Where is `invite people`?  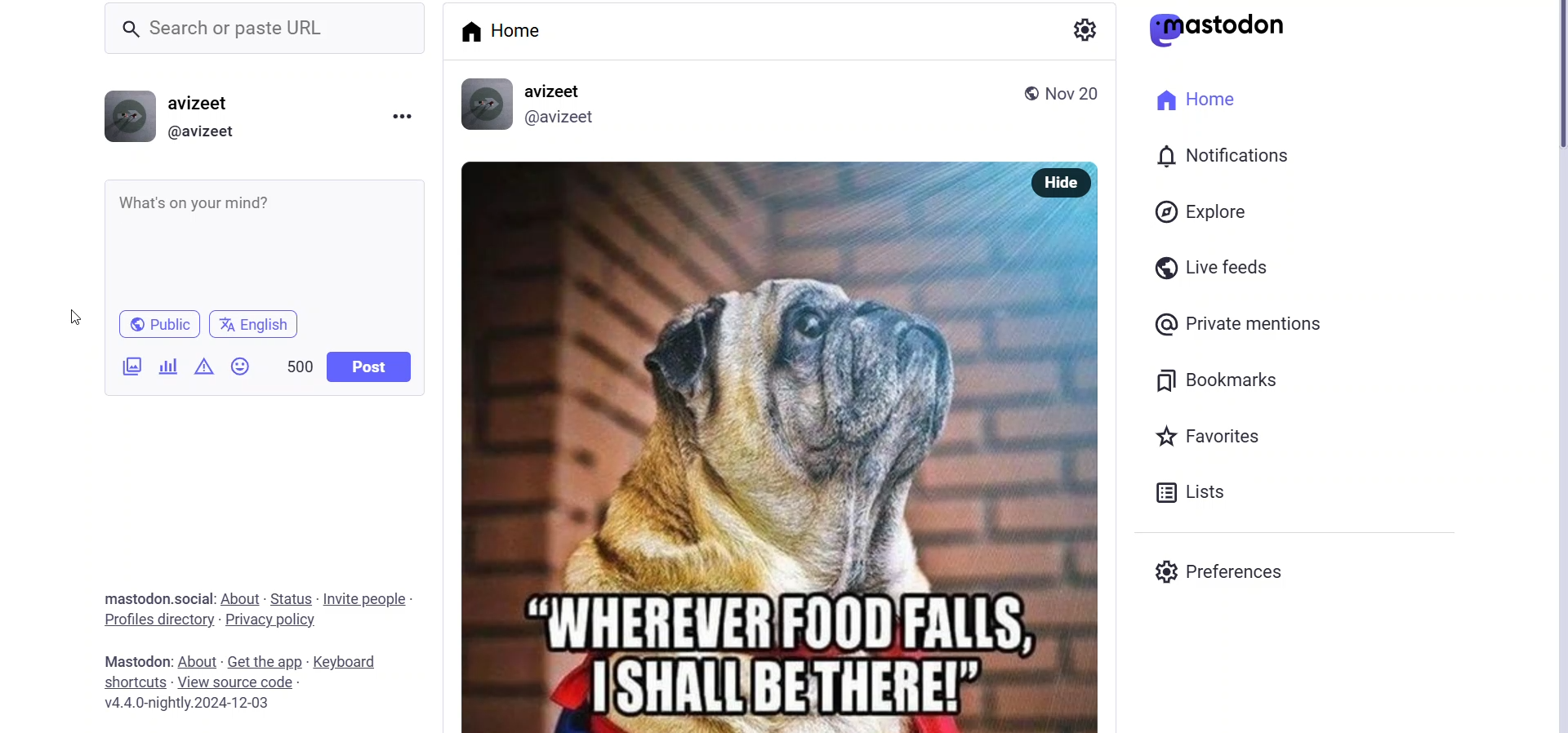
invite people is located at coordinates (369, 600).